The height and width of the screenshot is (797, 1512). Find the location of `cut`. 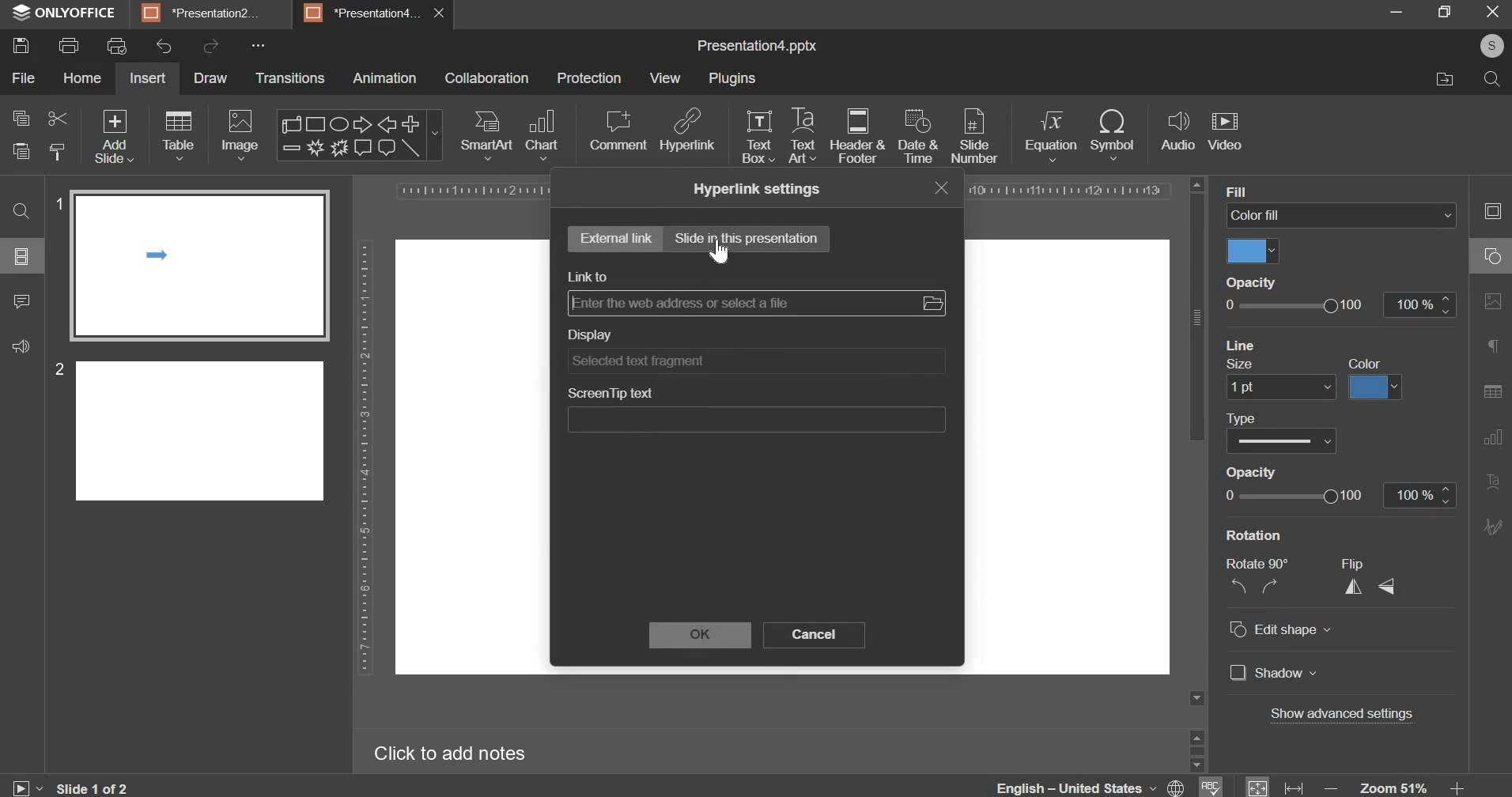

cut is located at coordinates (55, 117).